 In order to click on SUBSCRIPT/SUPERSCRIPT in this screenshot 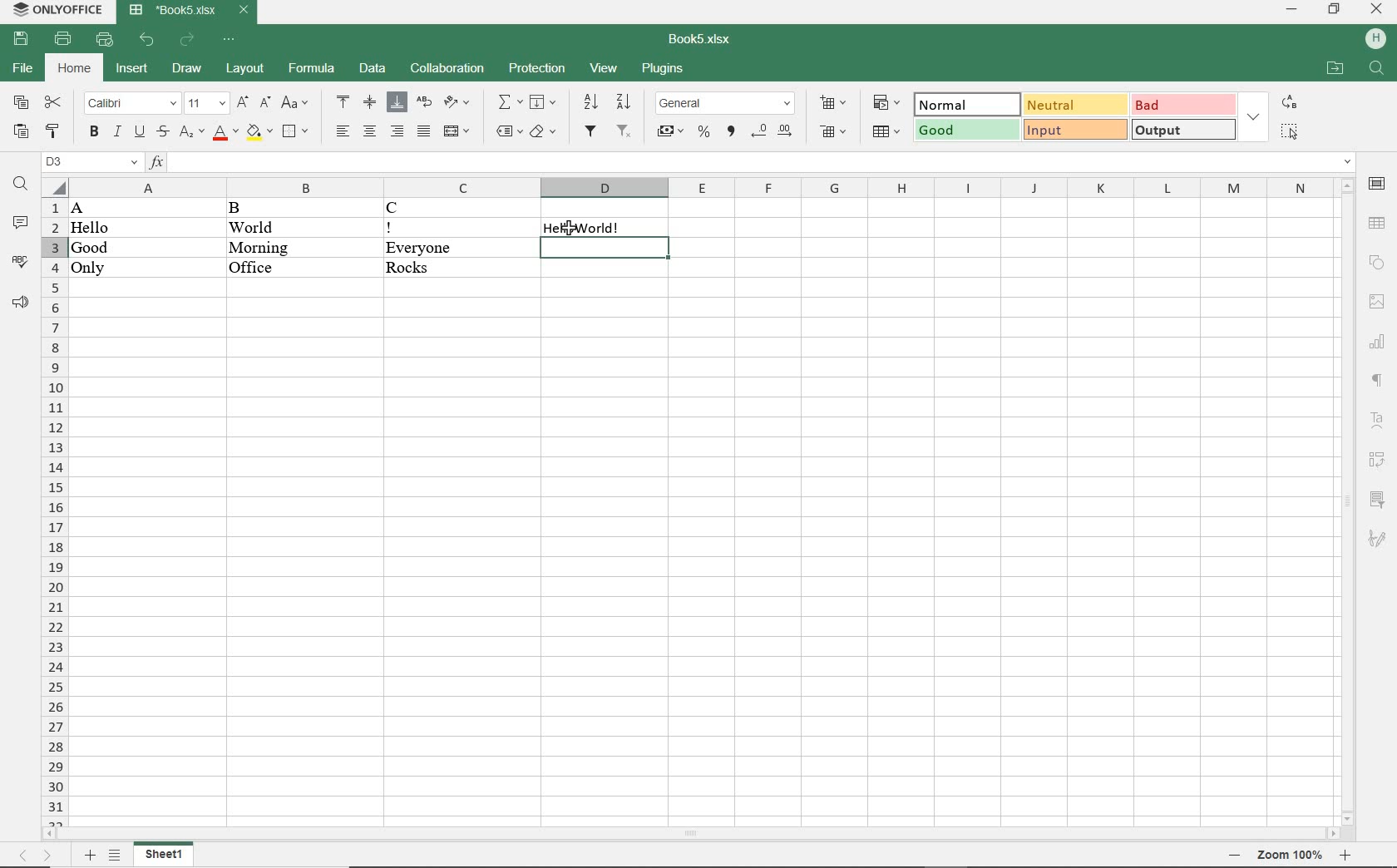, I will do `click(189, 133)`.